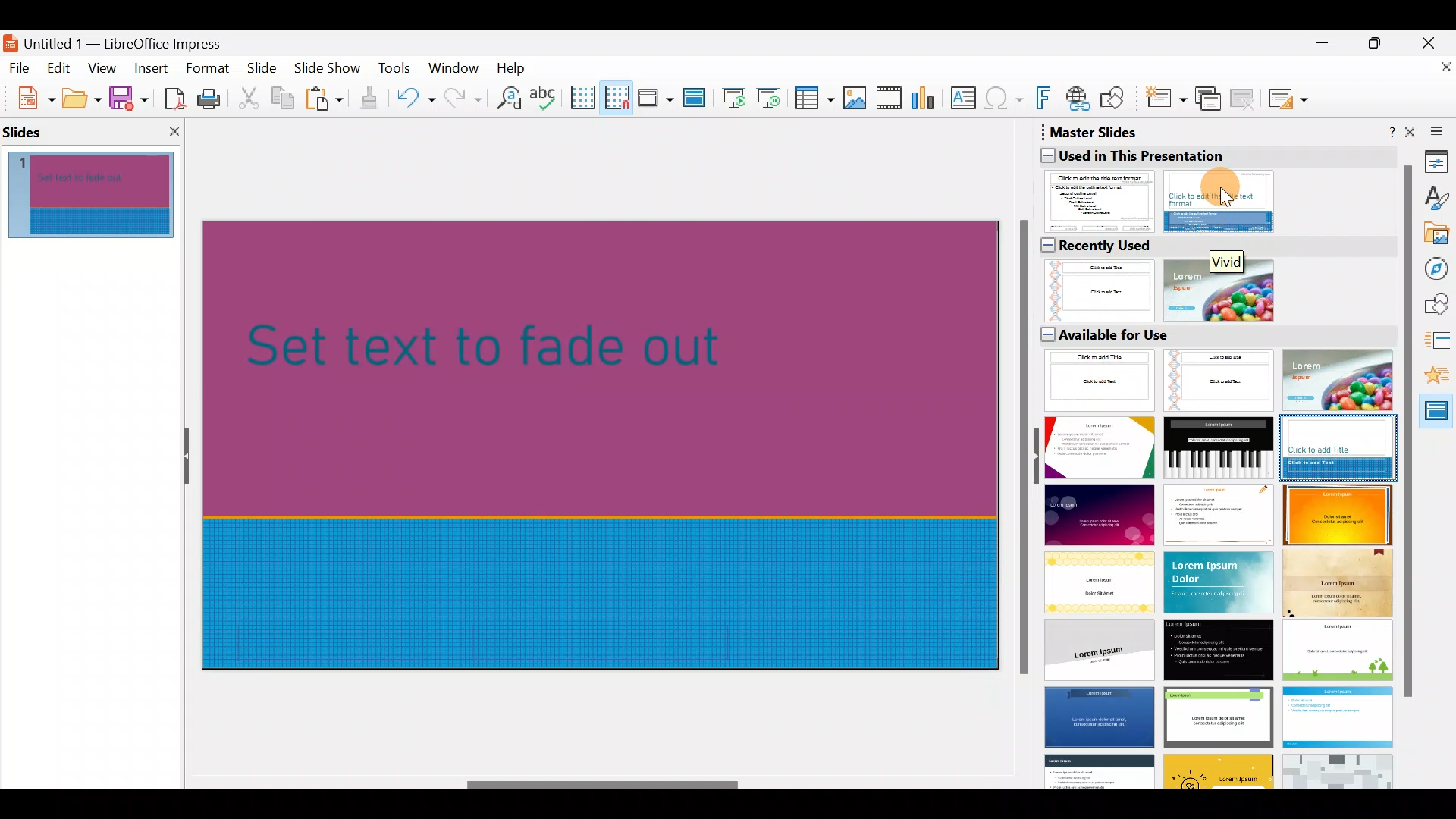  I want to click on Insert, so click(150, 68).